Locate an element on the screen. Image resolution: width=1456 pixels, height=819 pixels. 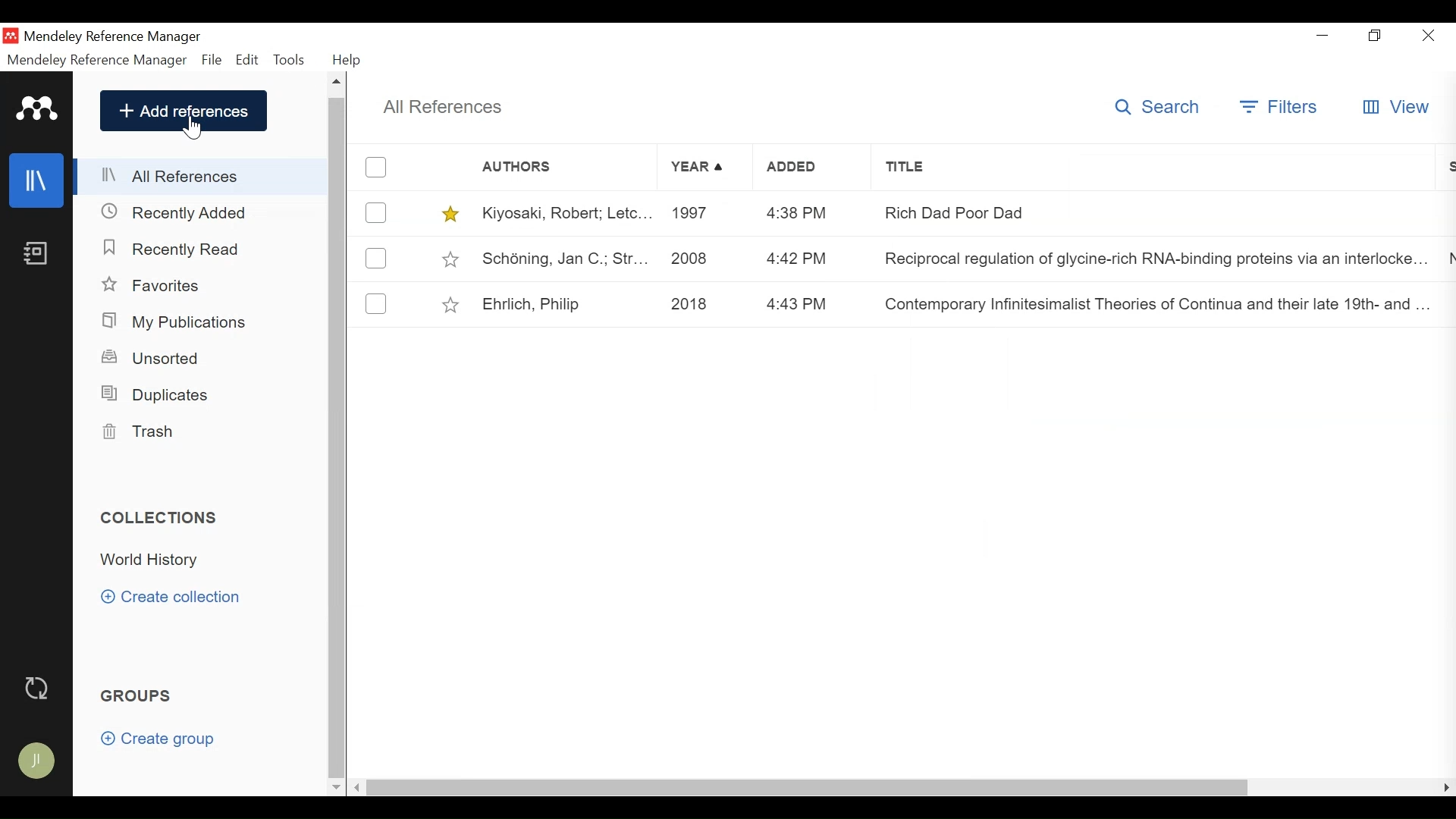
(un)select" is located at coordinates (376, 260).